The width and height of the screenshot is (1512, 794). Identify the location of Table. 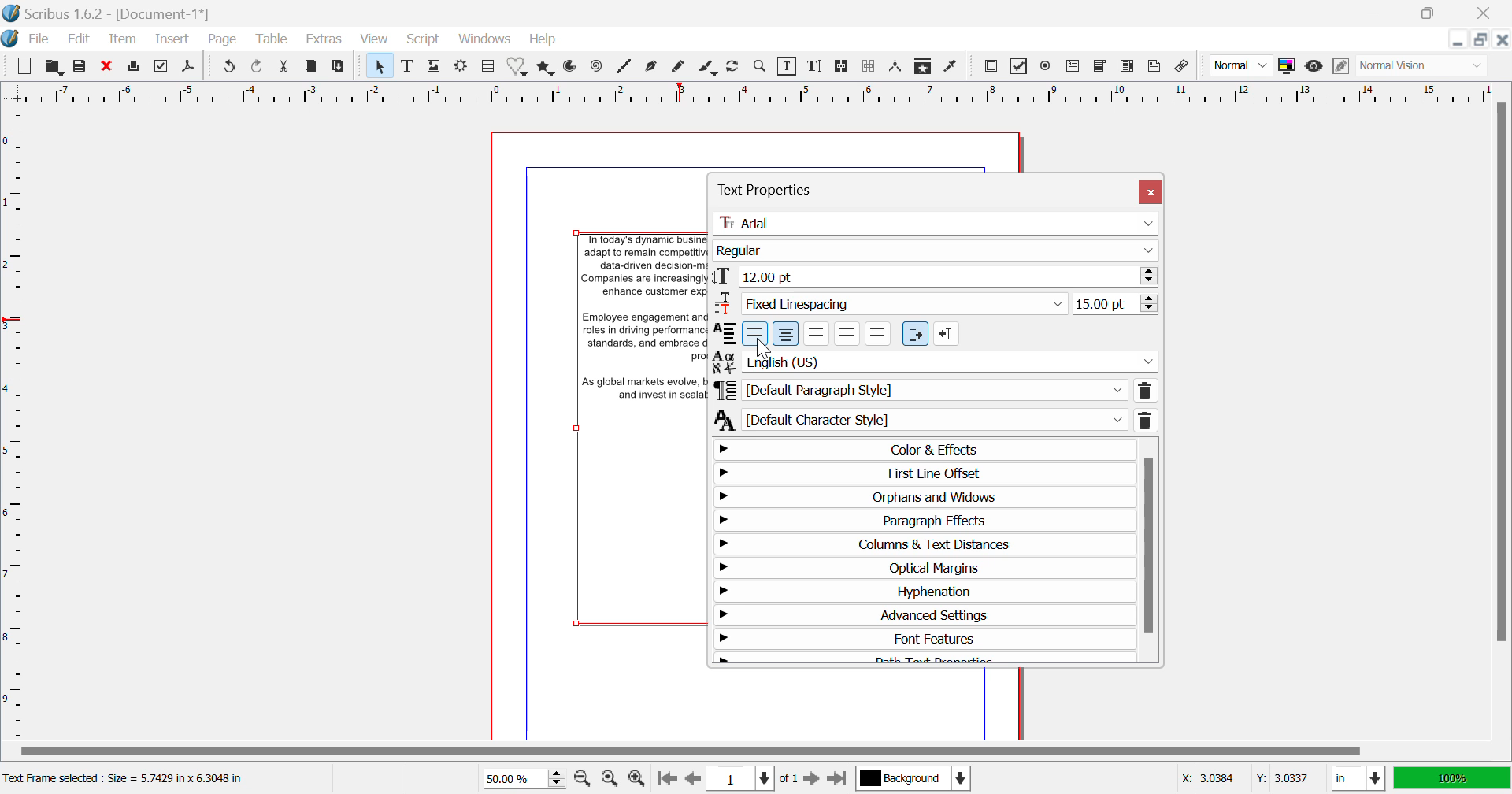
(488, 66).